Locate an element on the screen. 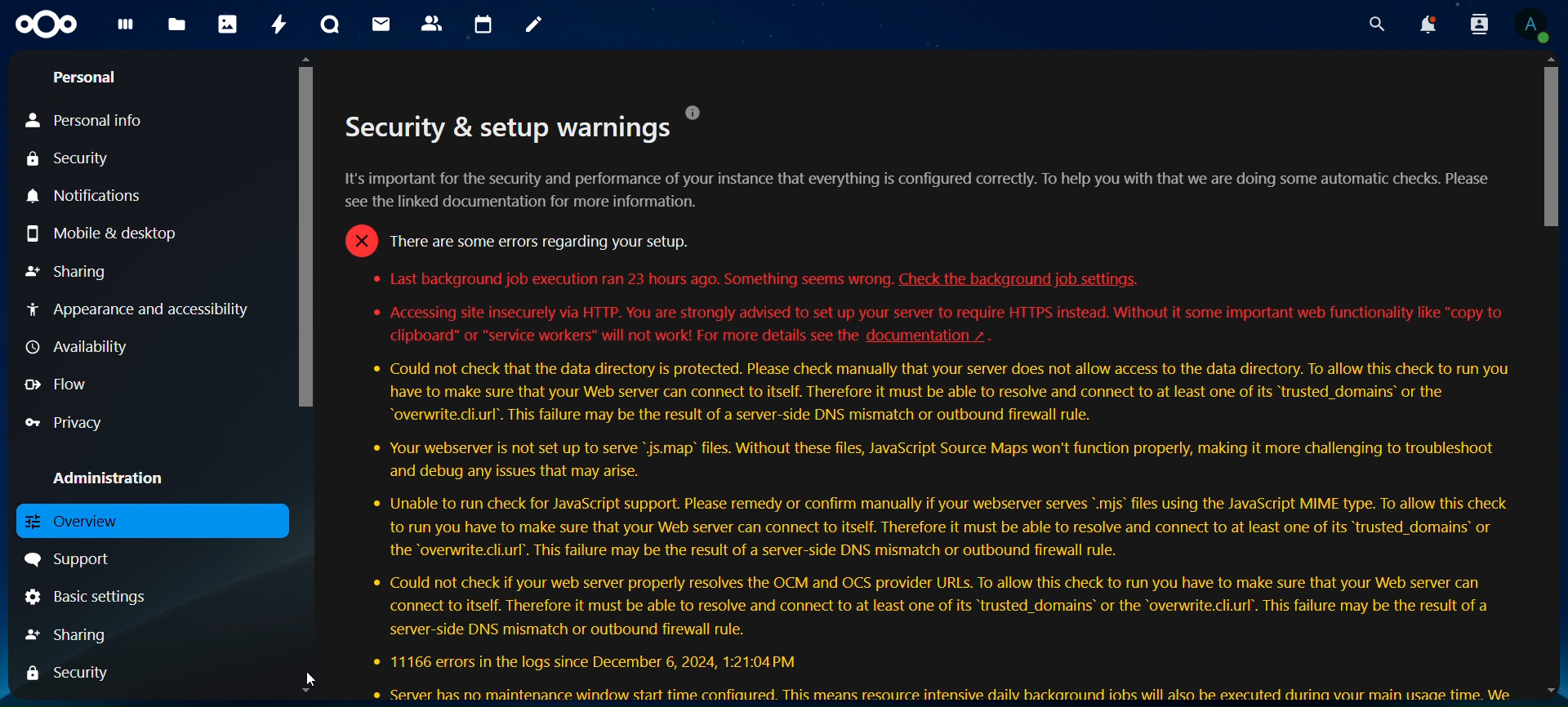 This screenshot has width=1568, height=707. flow is located at coordinates (58, 386).